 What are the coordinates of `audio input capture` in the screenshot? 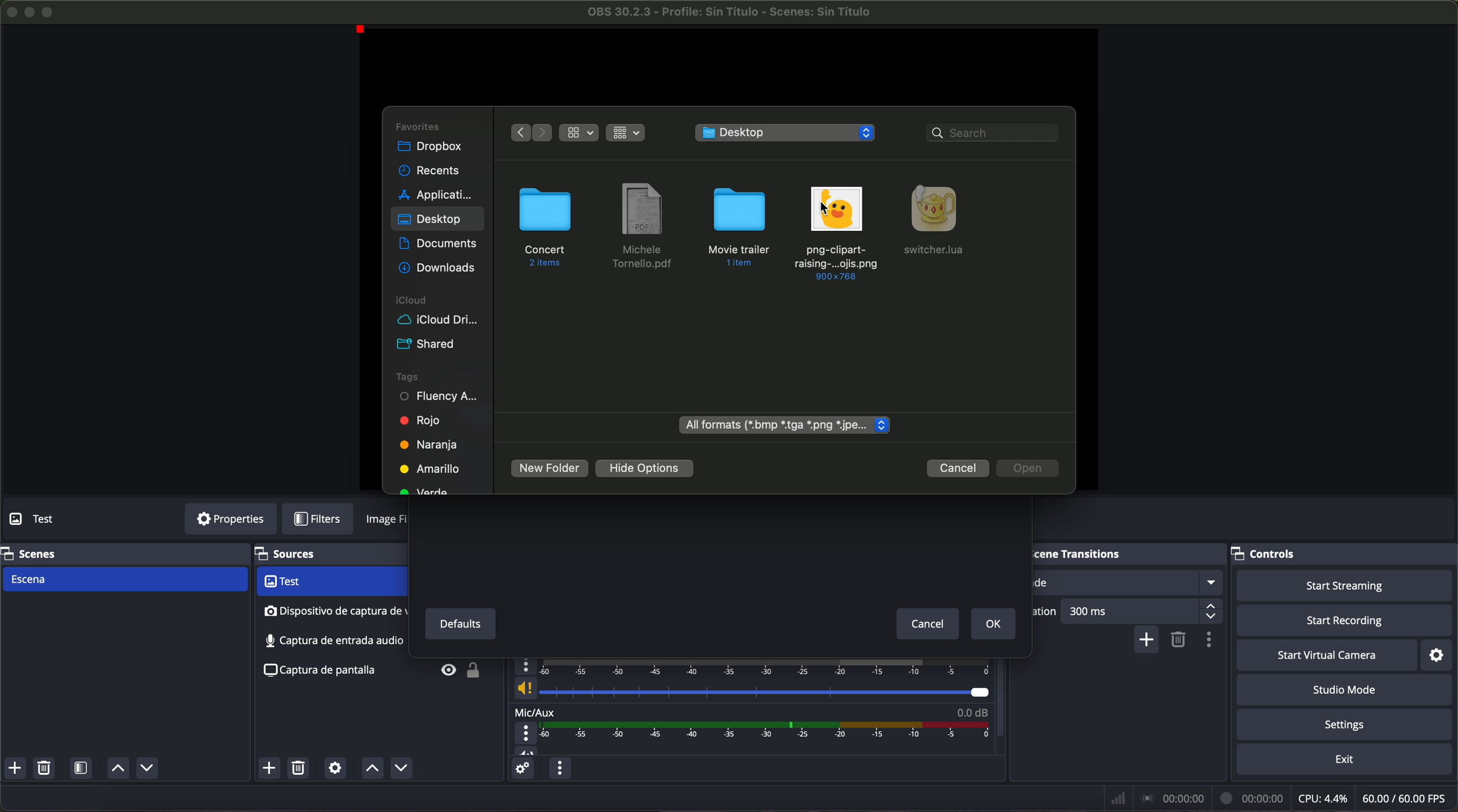 It's located at (333, 611).